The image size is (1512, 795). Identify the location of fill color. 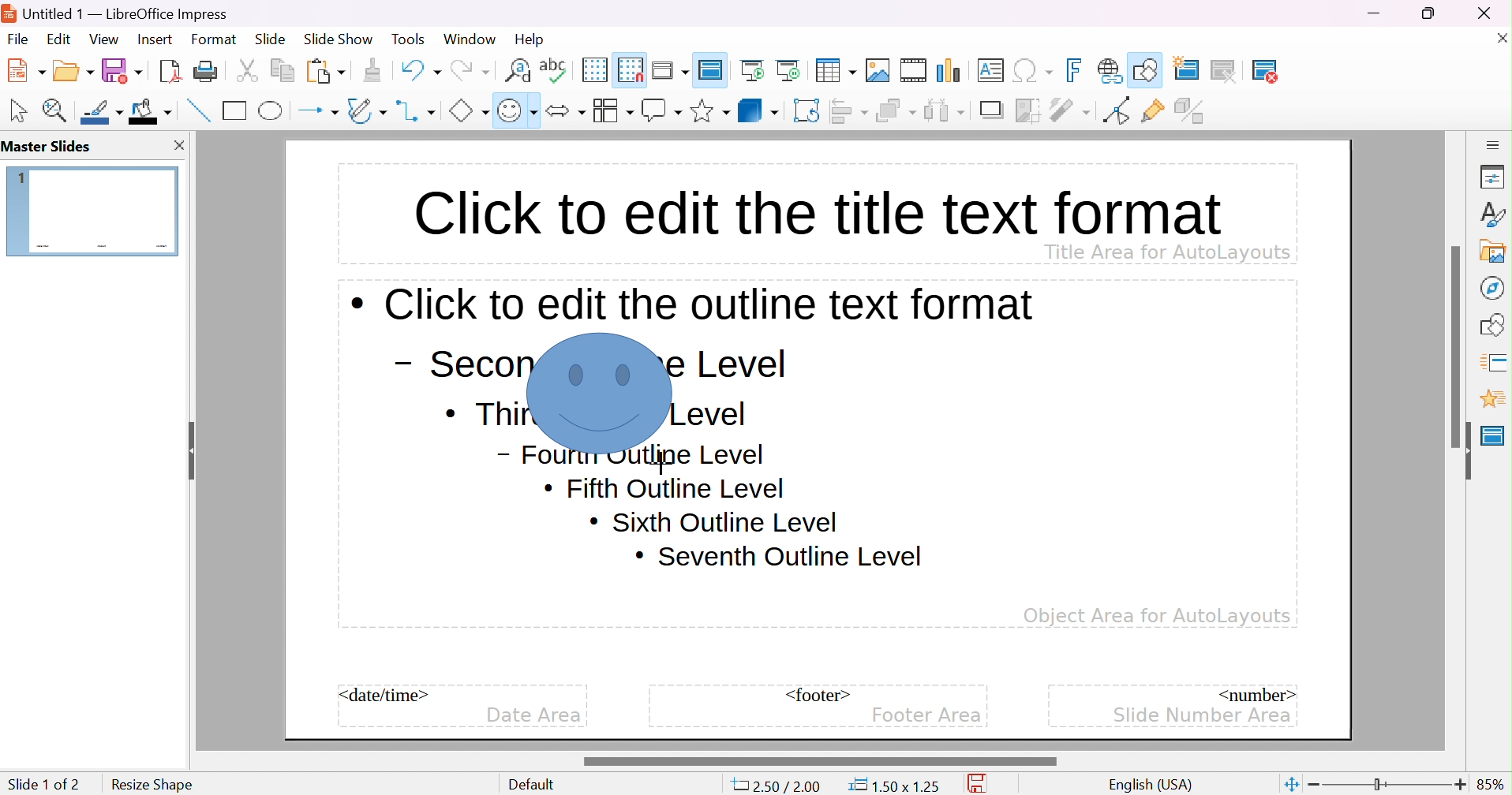
(151, 110).